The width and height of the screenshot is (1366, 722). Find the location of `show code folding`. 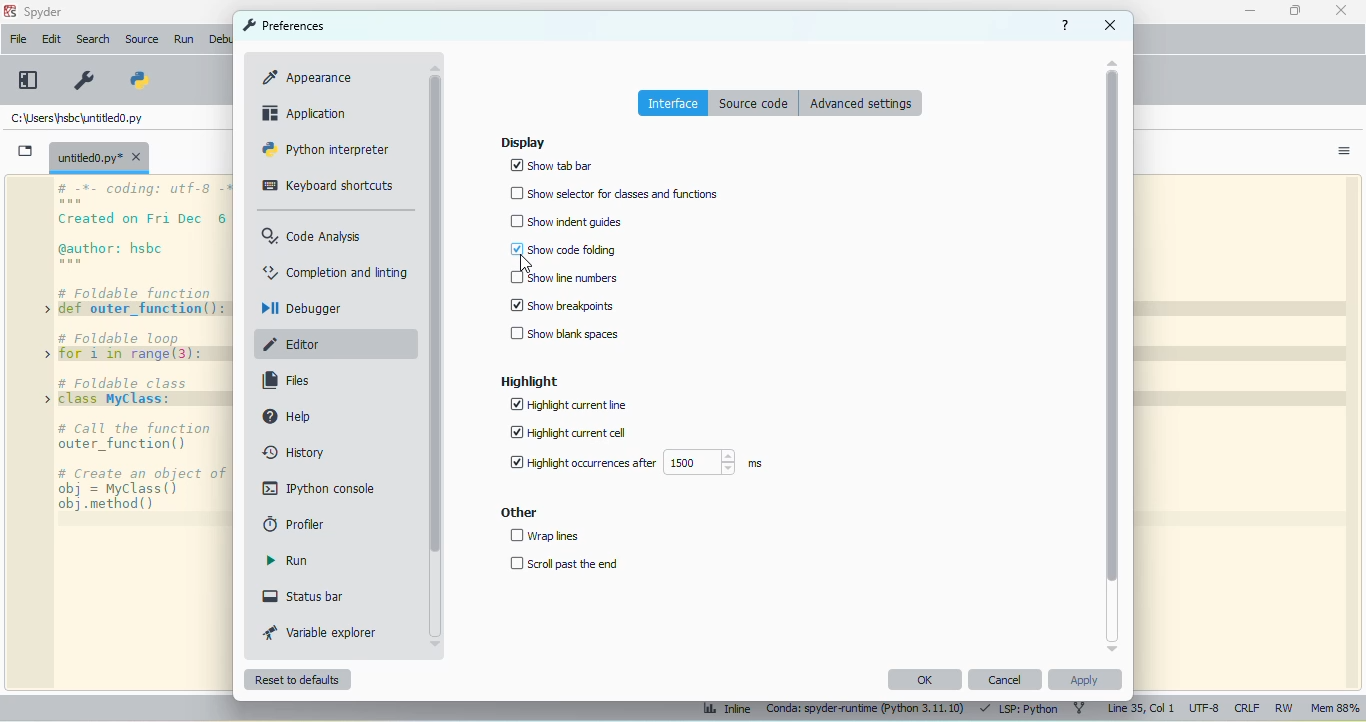

show code folding is located at coordinates (563, 249).